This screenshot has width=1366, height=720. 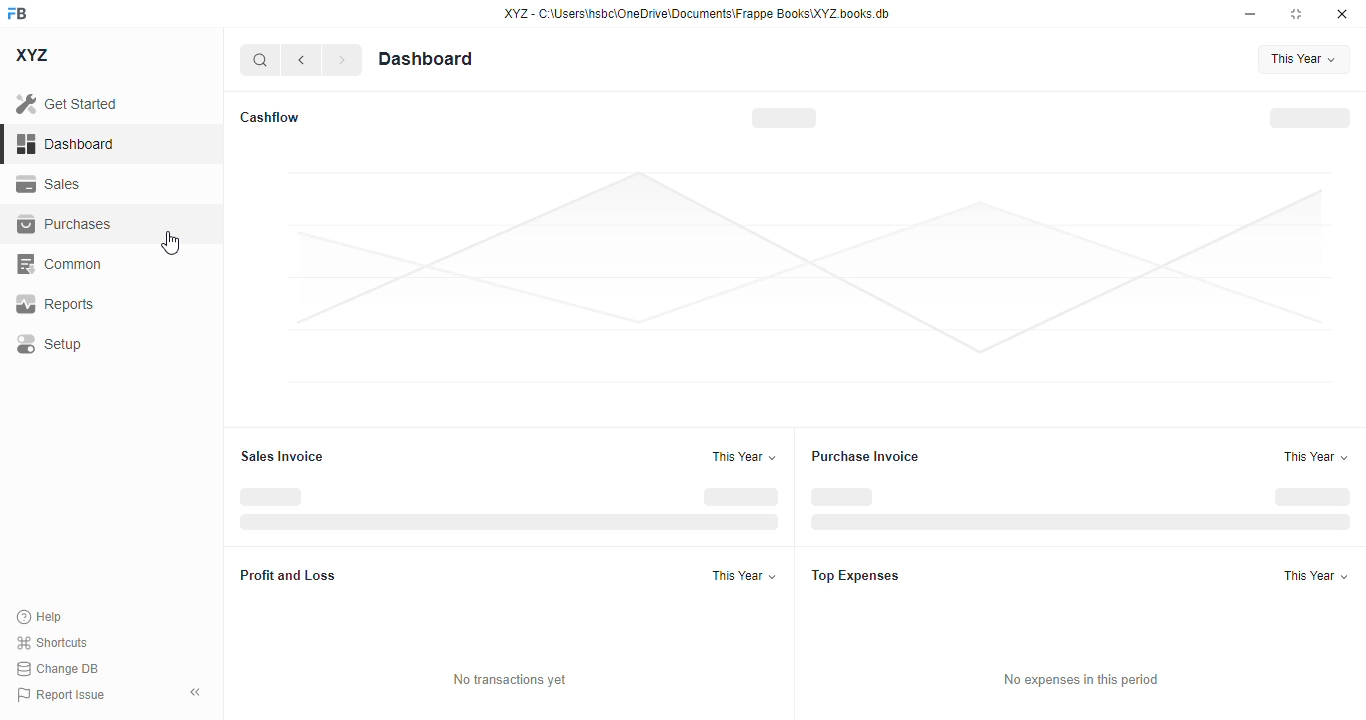 What do you see at coordinates (55, 303) in the screenshot?
I see `reports` at bounding box center [55, 303].